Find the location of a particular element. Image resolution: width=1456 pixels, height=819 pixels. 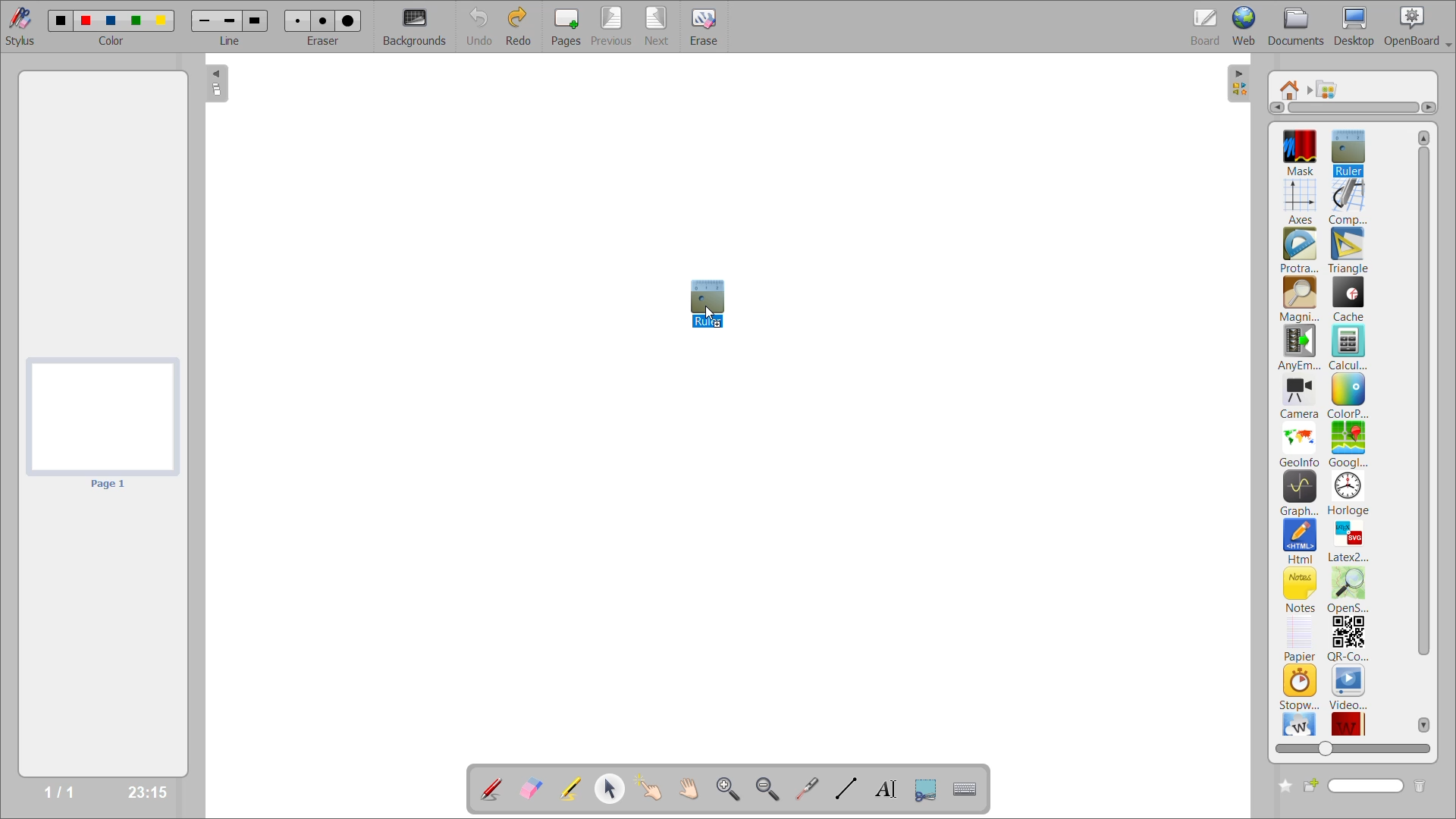

calculator is located at coordinates (1350, 347).